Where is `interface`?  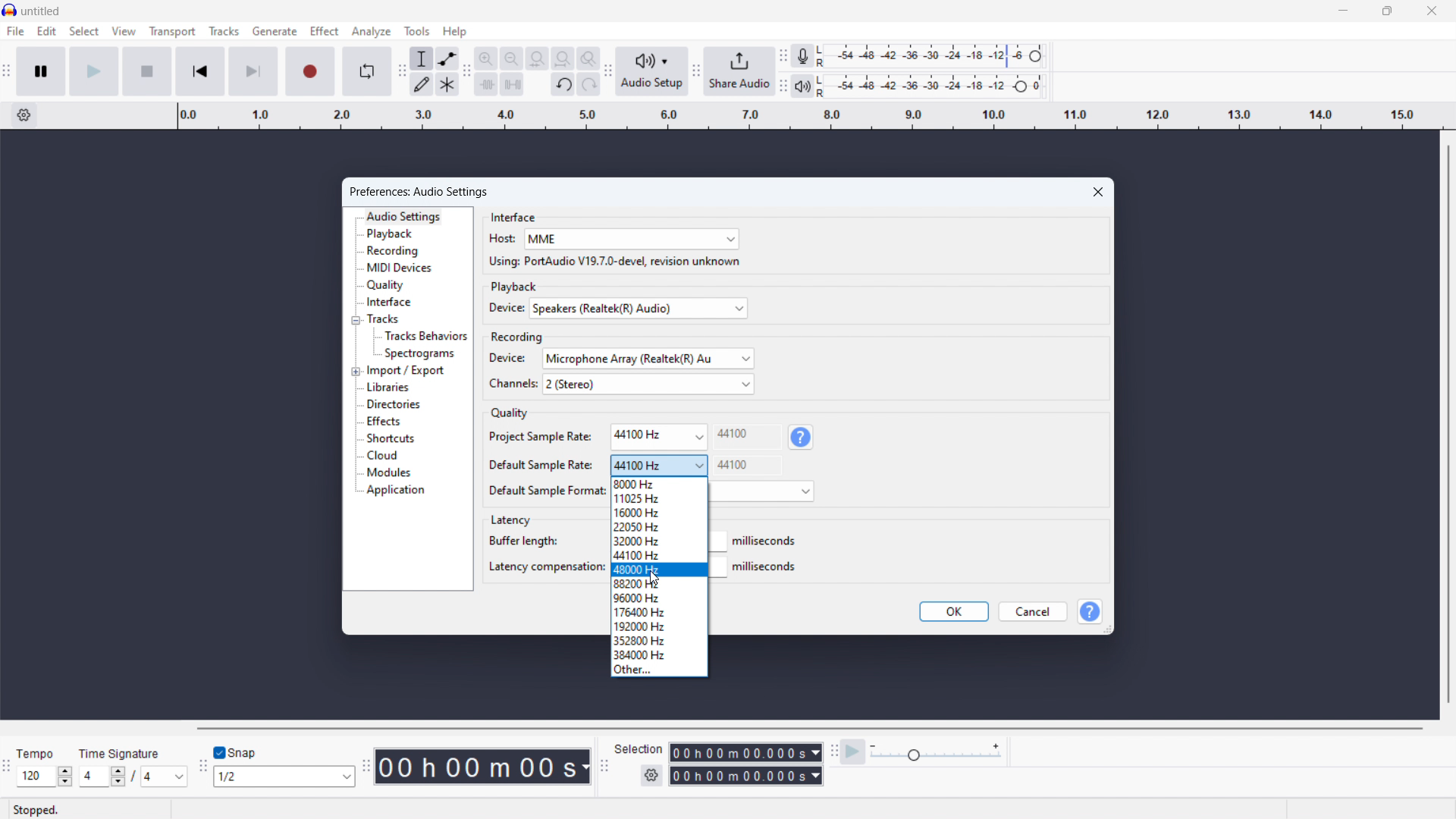
interface is located at coordinates (389, 303).